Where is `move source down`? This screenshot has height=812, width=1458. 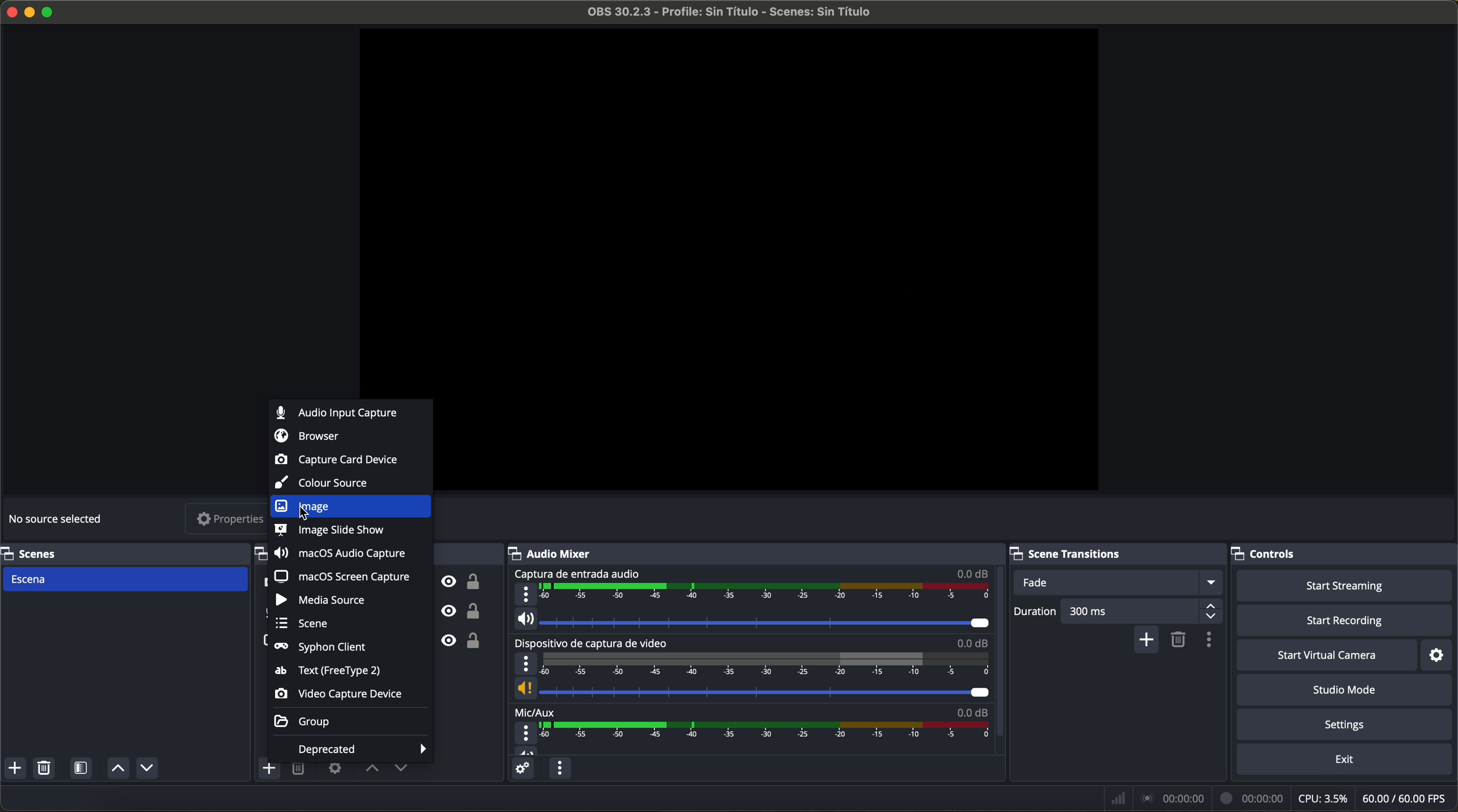
move source down is located at coordinates (398, 771).